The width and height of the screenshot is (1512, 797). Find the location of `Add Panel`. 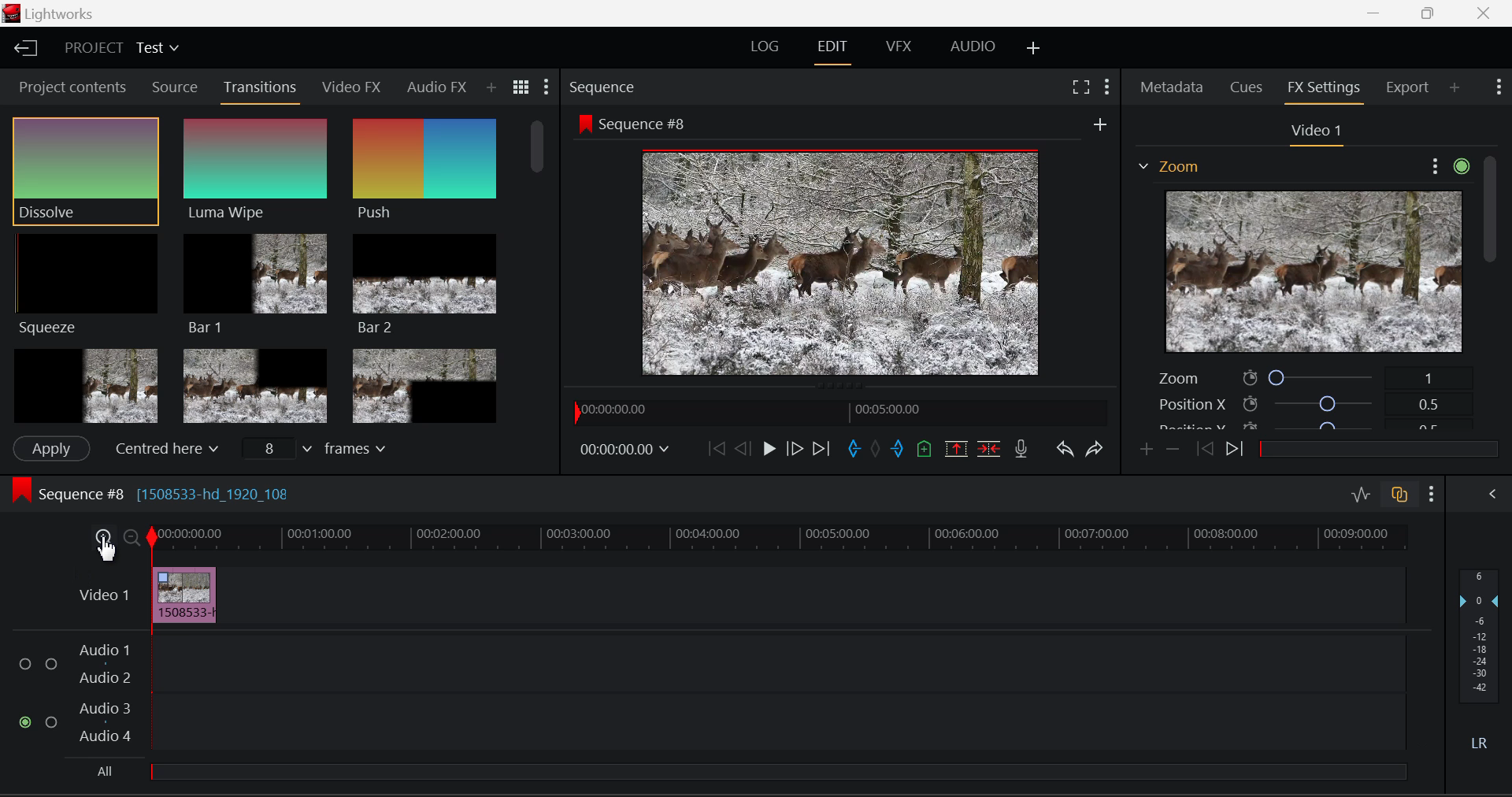

Add Panel is located at coordinates (491, 87).